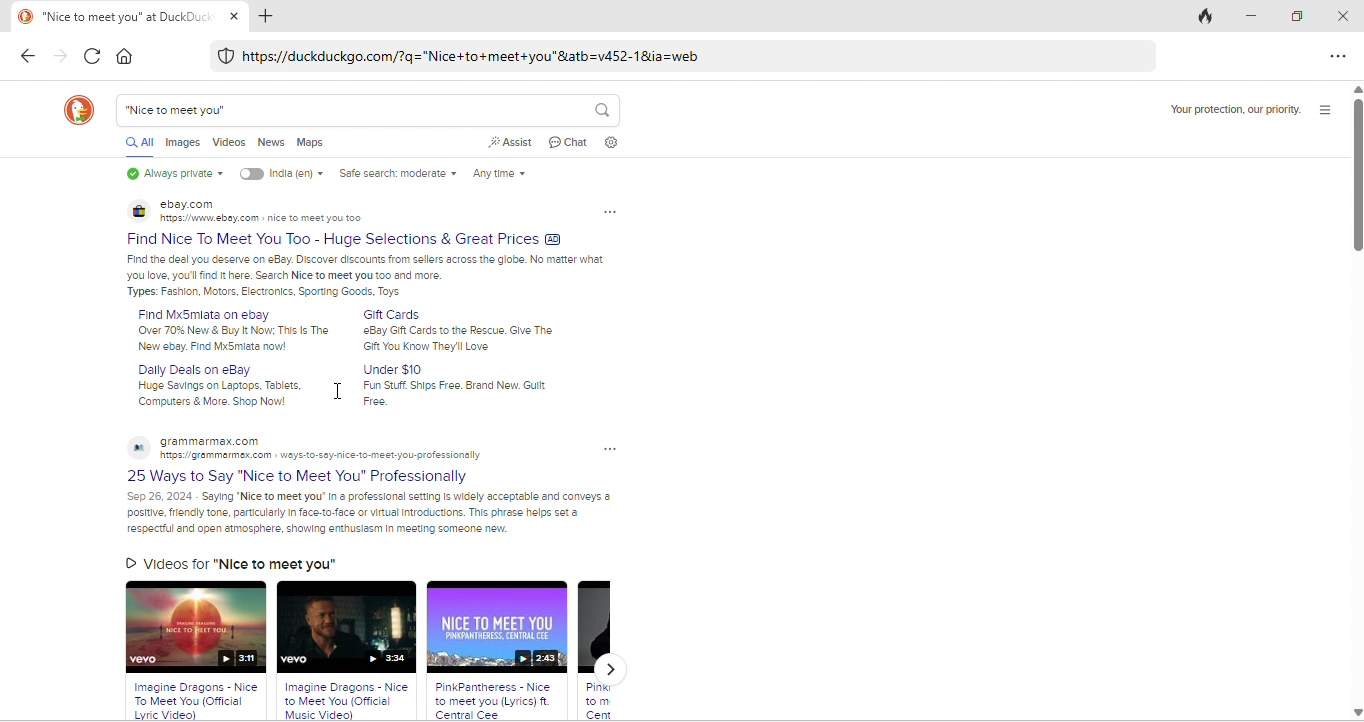 The width and height of the screenshot is (1364, 722). What do you see at coordinates (1344, 14) in the screenshot?
I see `close` at bounding box center [1344, 14].